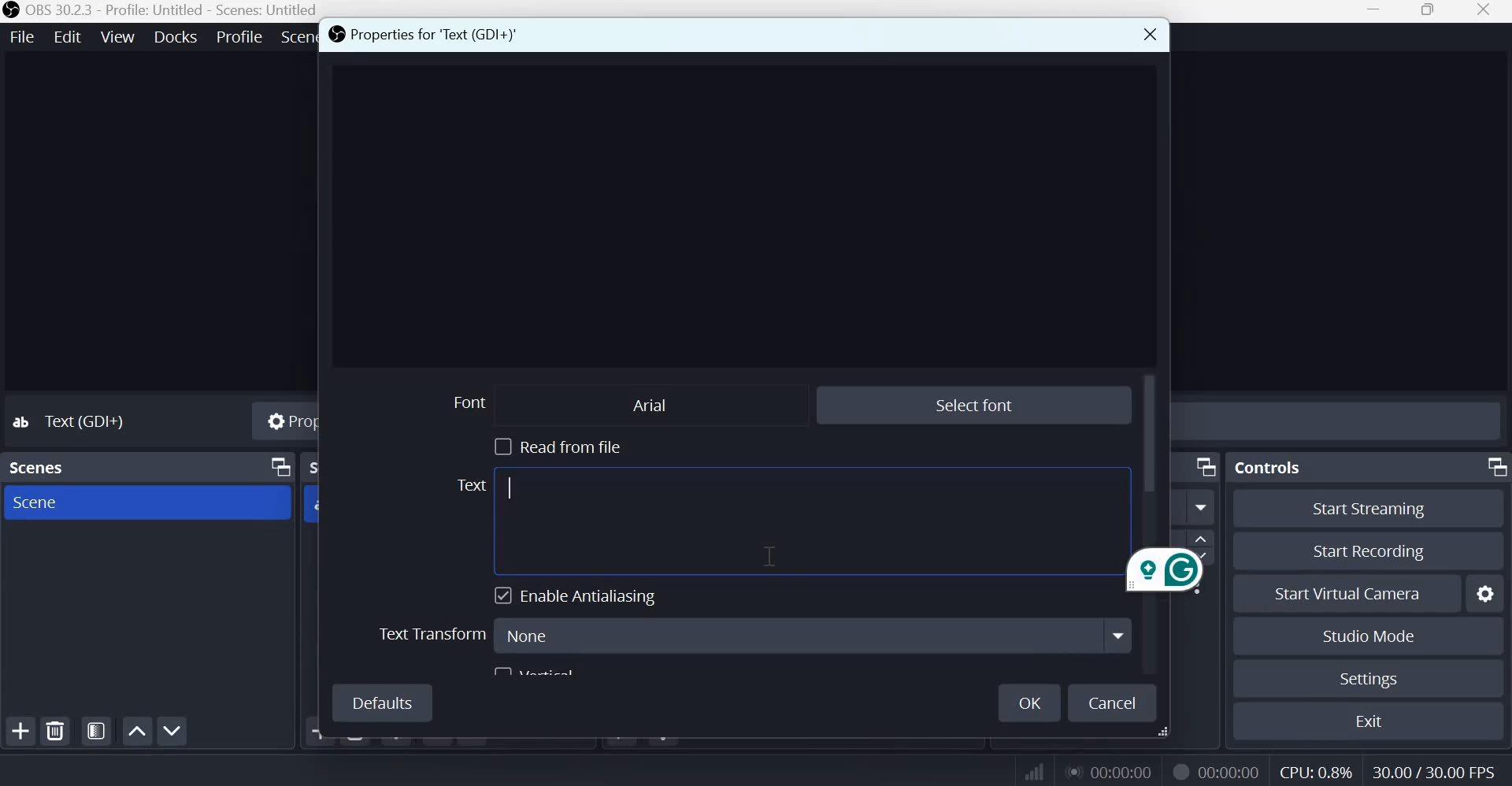 The image size is (1512, 786). Describe the element at coordinates (1204, 465) in the screenshot. I see ` Dock Options icon` at that location.